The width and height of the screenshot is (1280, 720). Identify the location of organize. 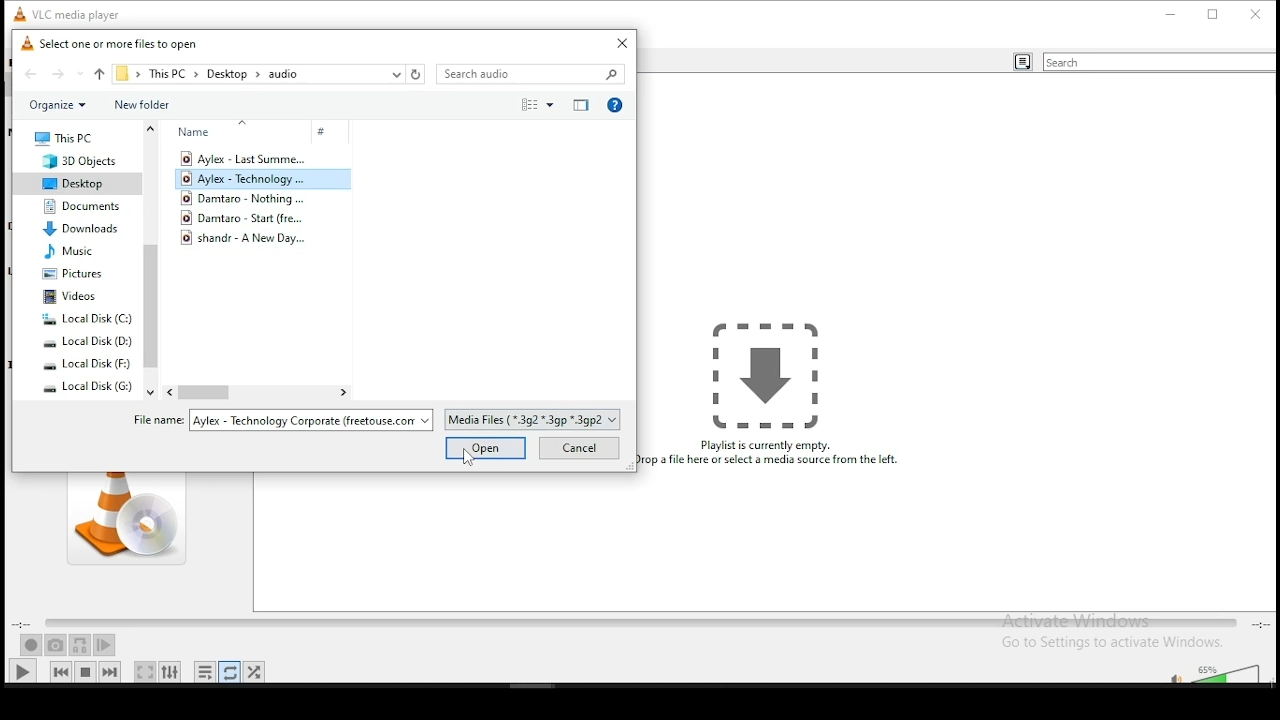
(57, 105).